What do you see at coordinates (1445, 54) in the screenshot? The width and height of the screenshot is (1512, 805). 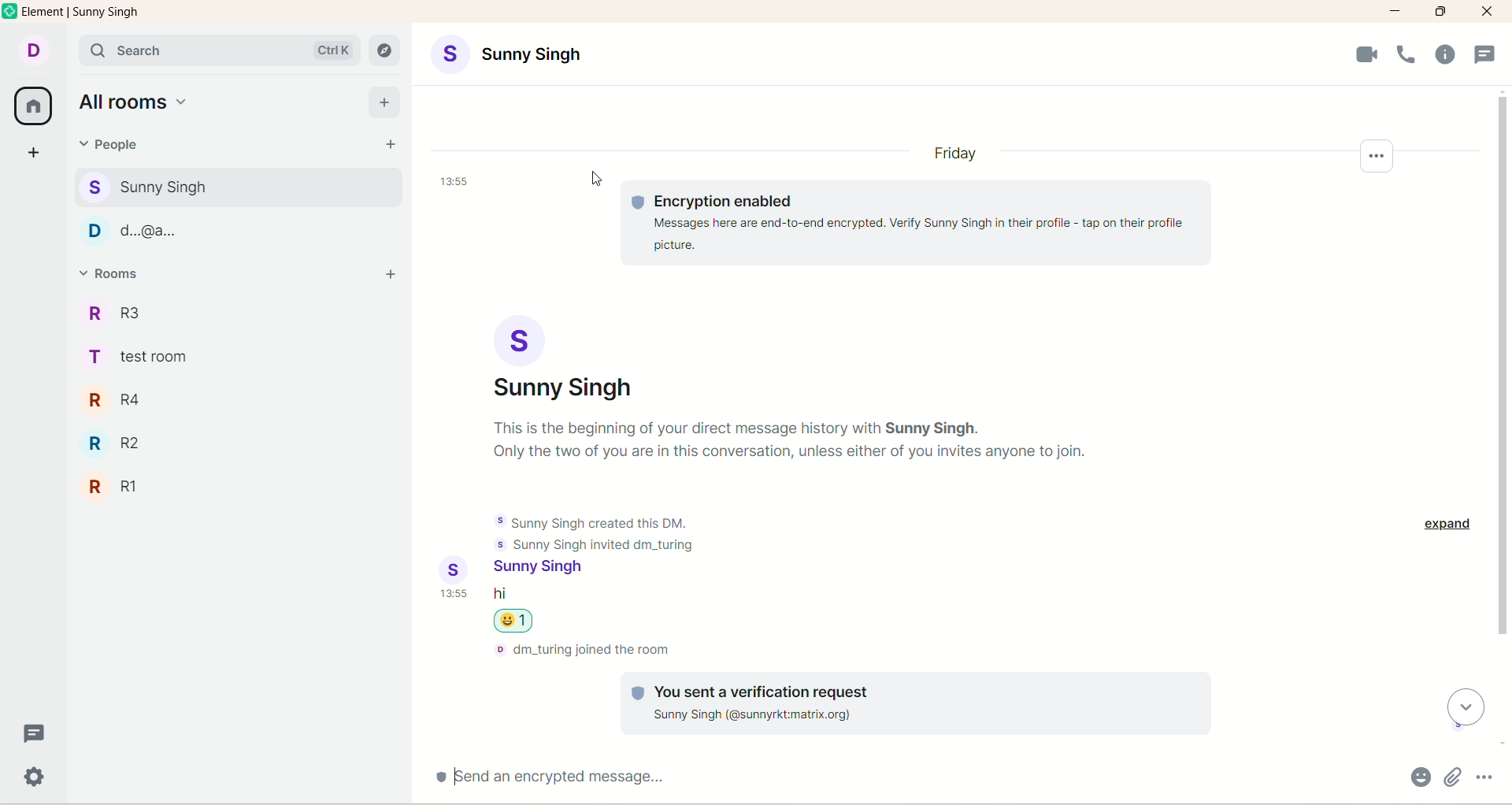 I see `room info` at bounding box center [1445, 54].